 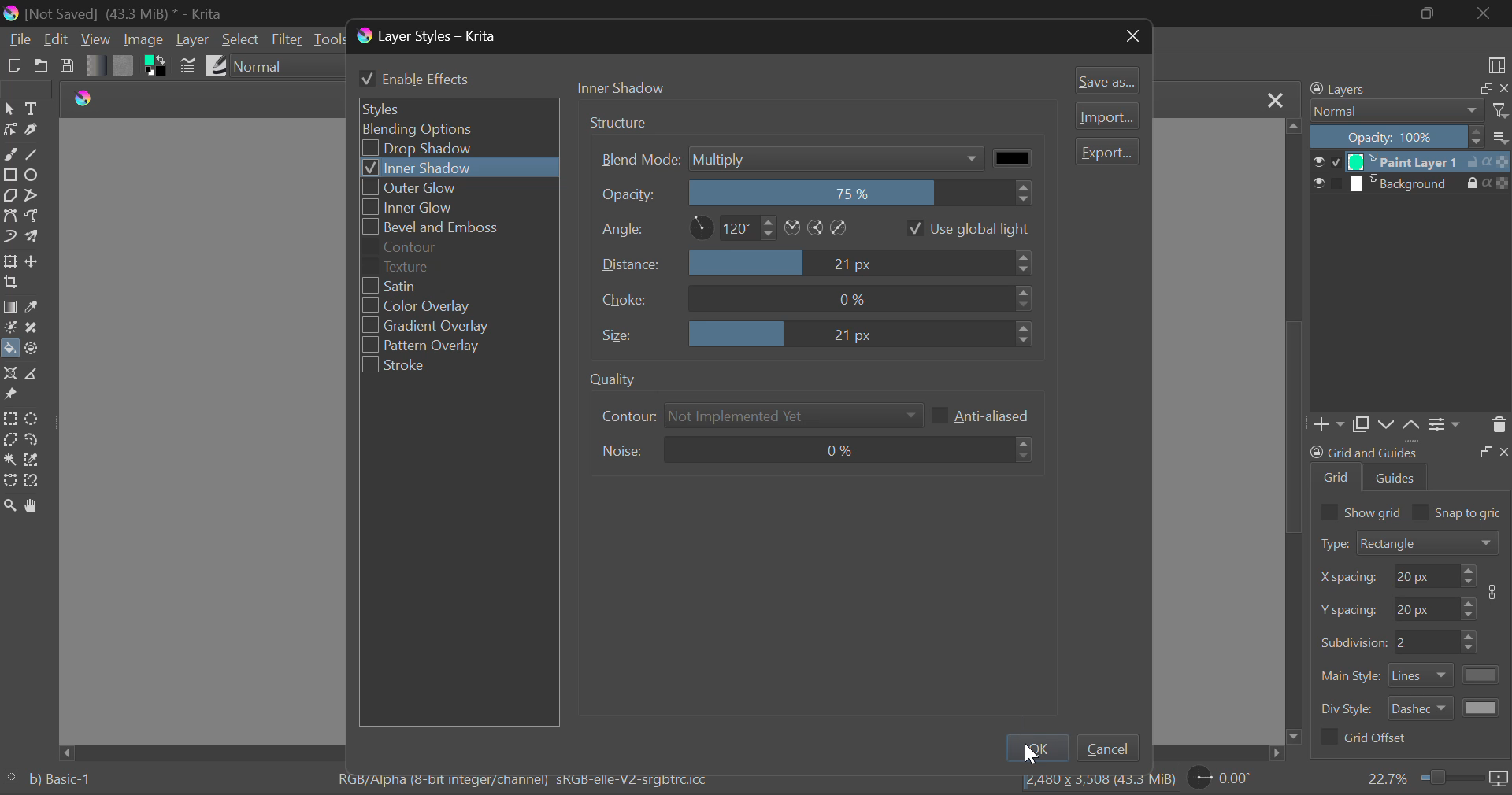 I want to click on Pattern, so click(x=123, y=68).